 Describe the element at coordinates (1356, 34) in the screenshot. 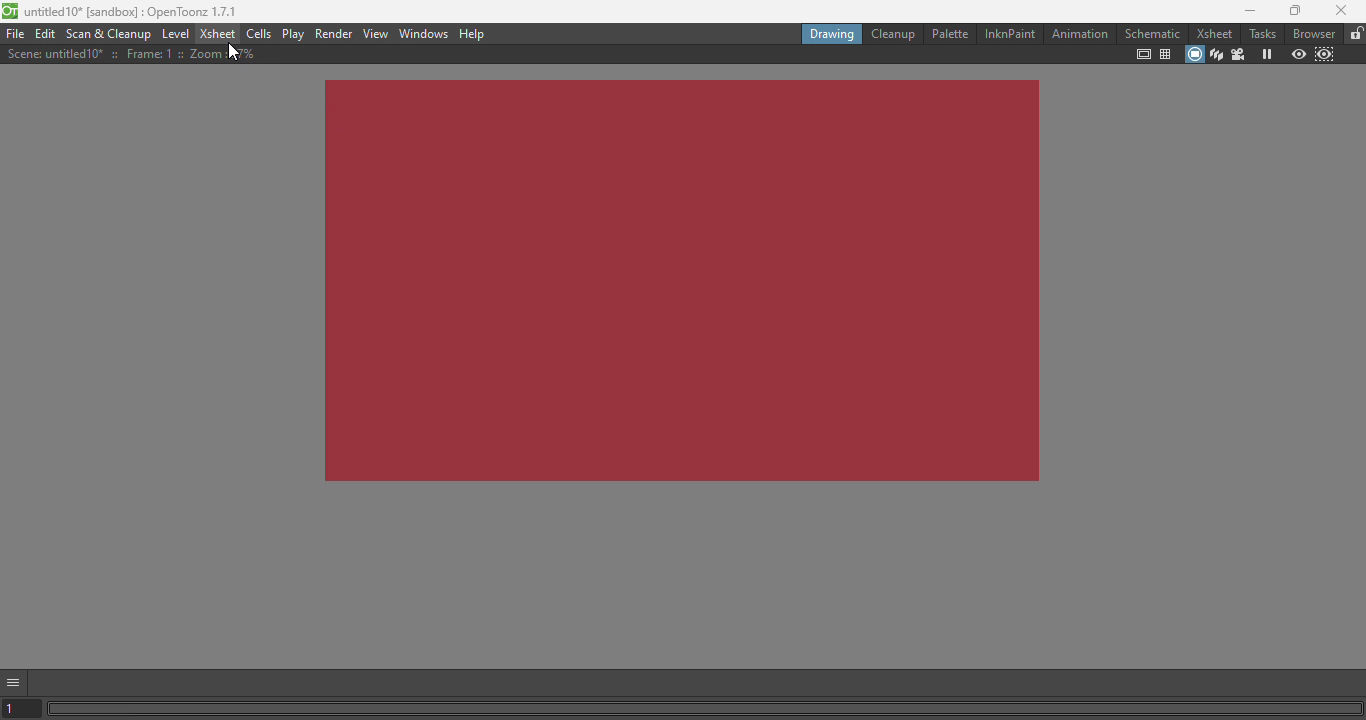

I see `Lock rooms tab` at that location.